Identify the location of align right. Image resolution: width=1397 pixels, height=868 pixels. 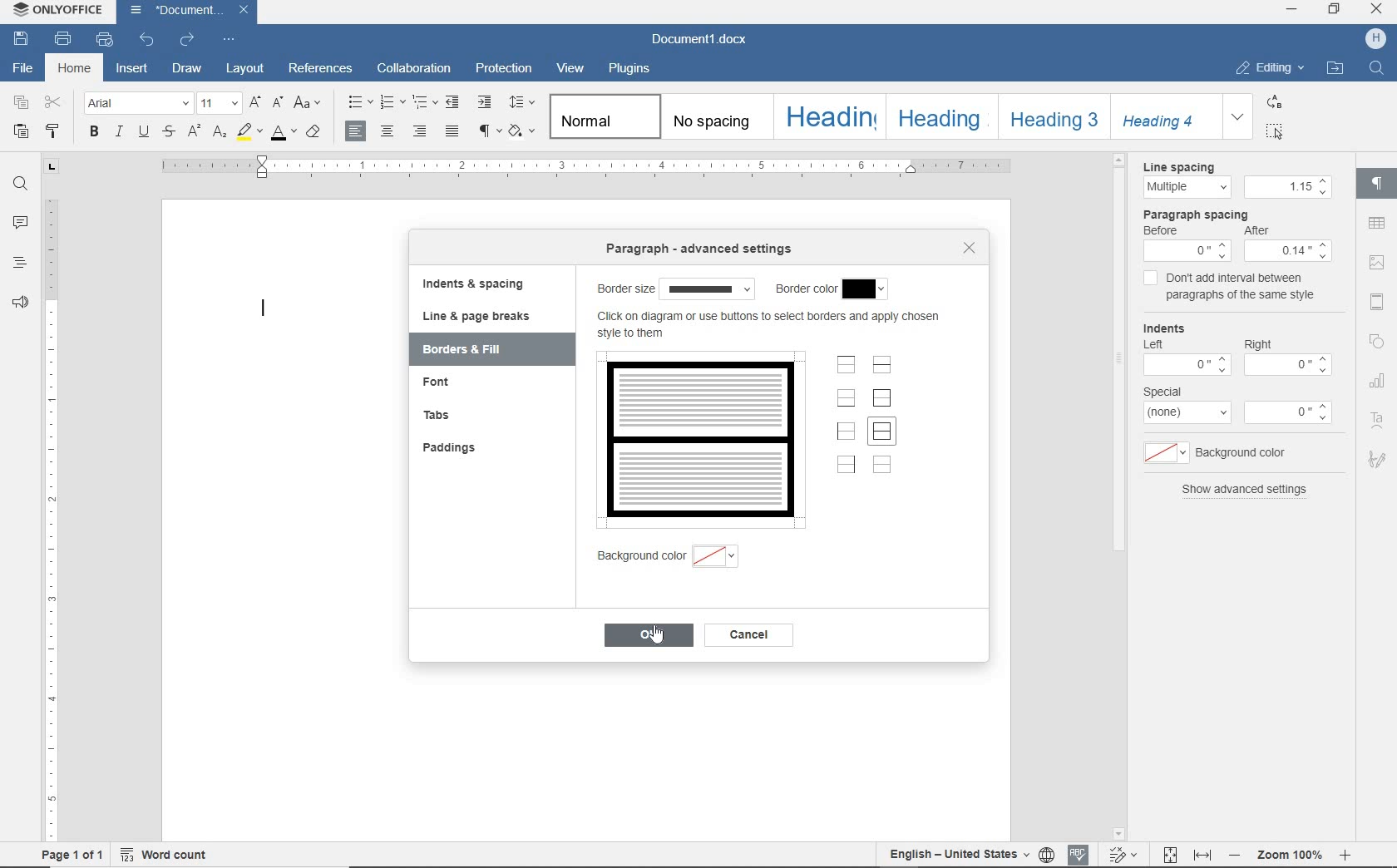
(420, 132).